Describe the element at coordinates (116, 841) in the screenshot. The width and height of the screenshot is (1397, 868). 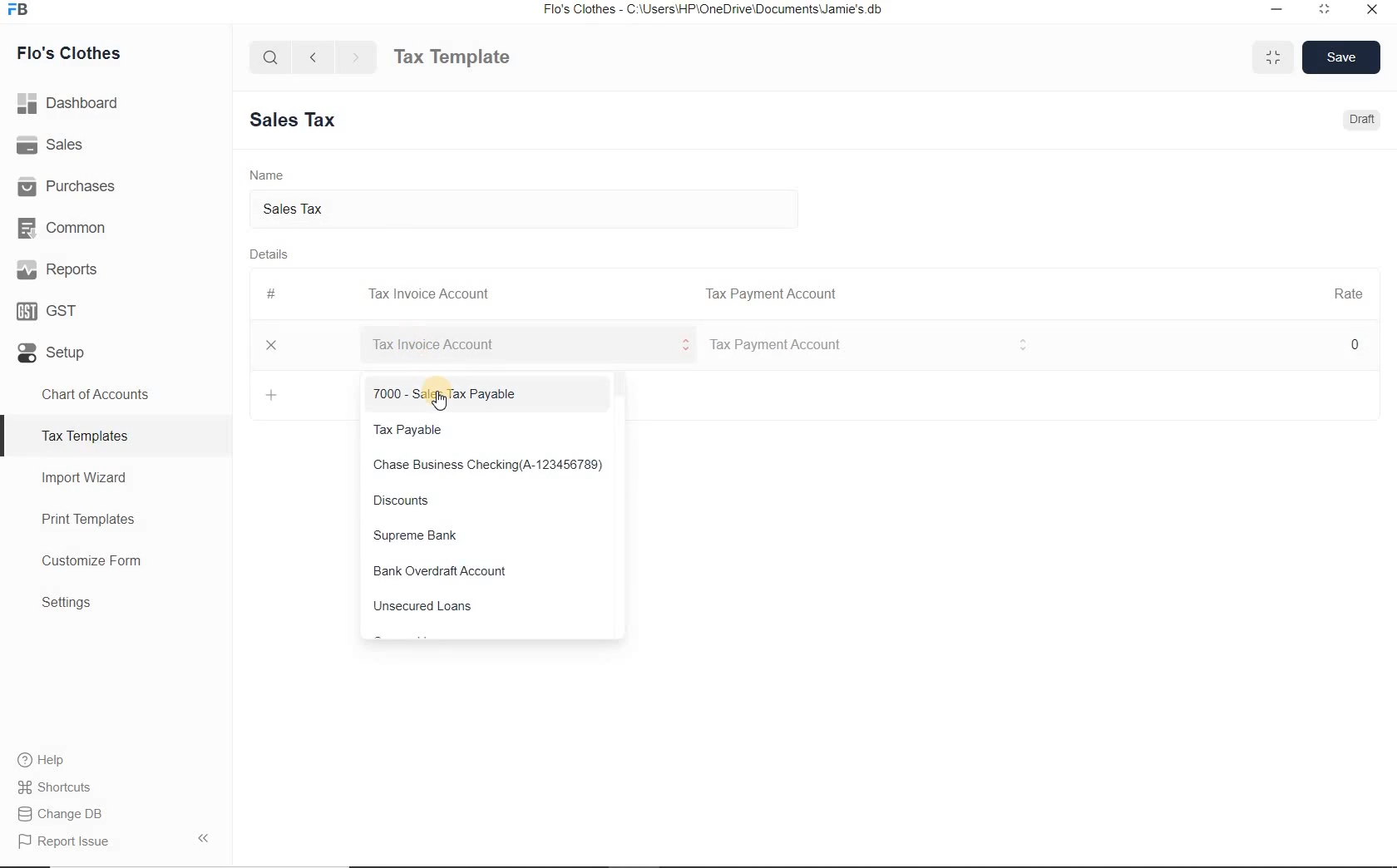
I see `Report Issue` at that location.